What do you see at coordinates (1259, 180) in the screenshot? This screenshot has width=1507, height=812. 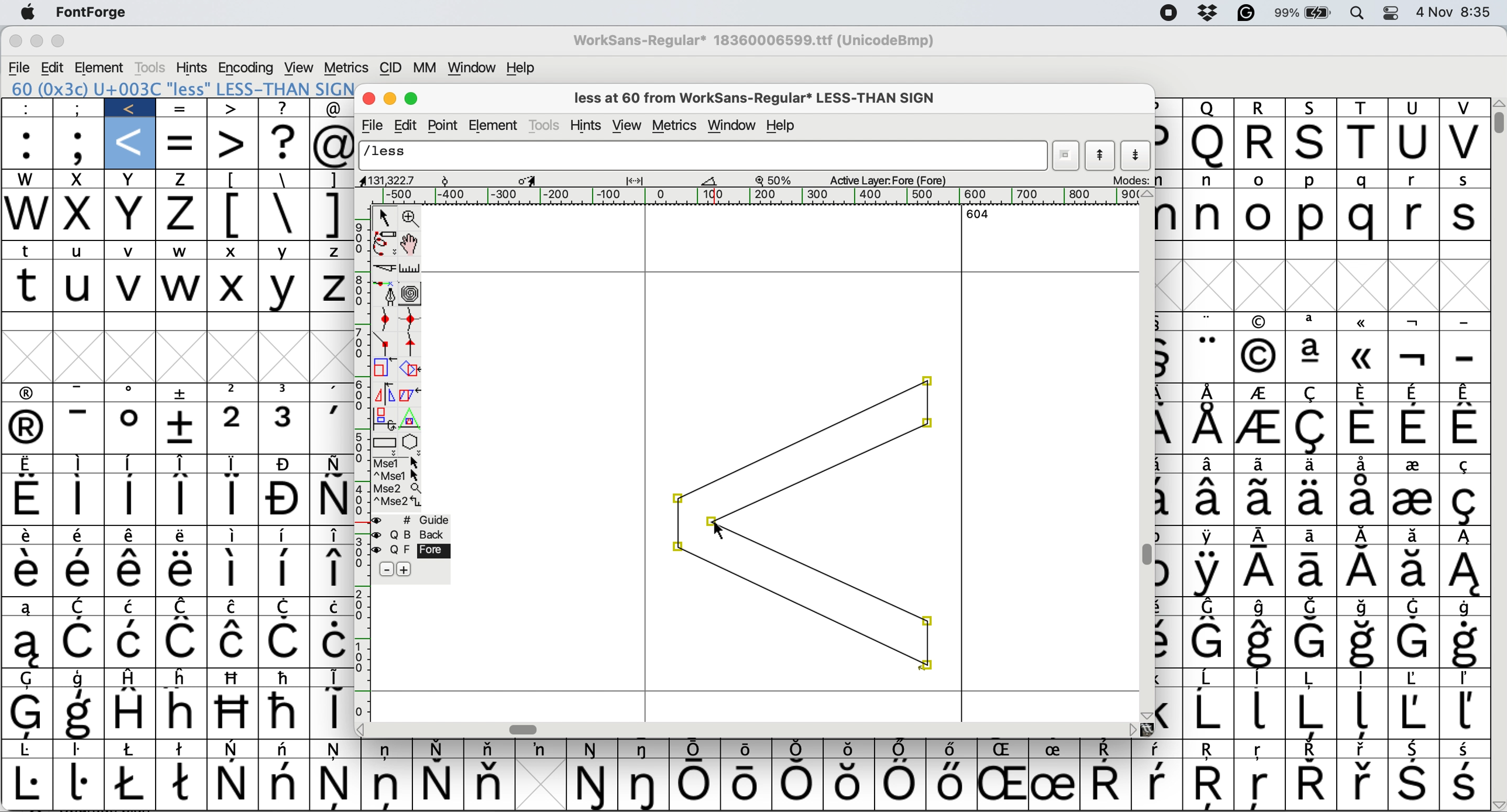 I see `o` at bounding box center [1259, 180].